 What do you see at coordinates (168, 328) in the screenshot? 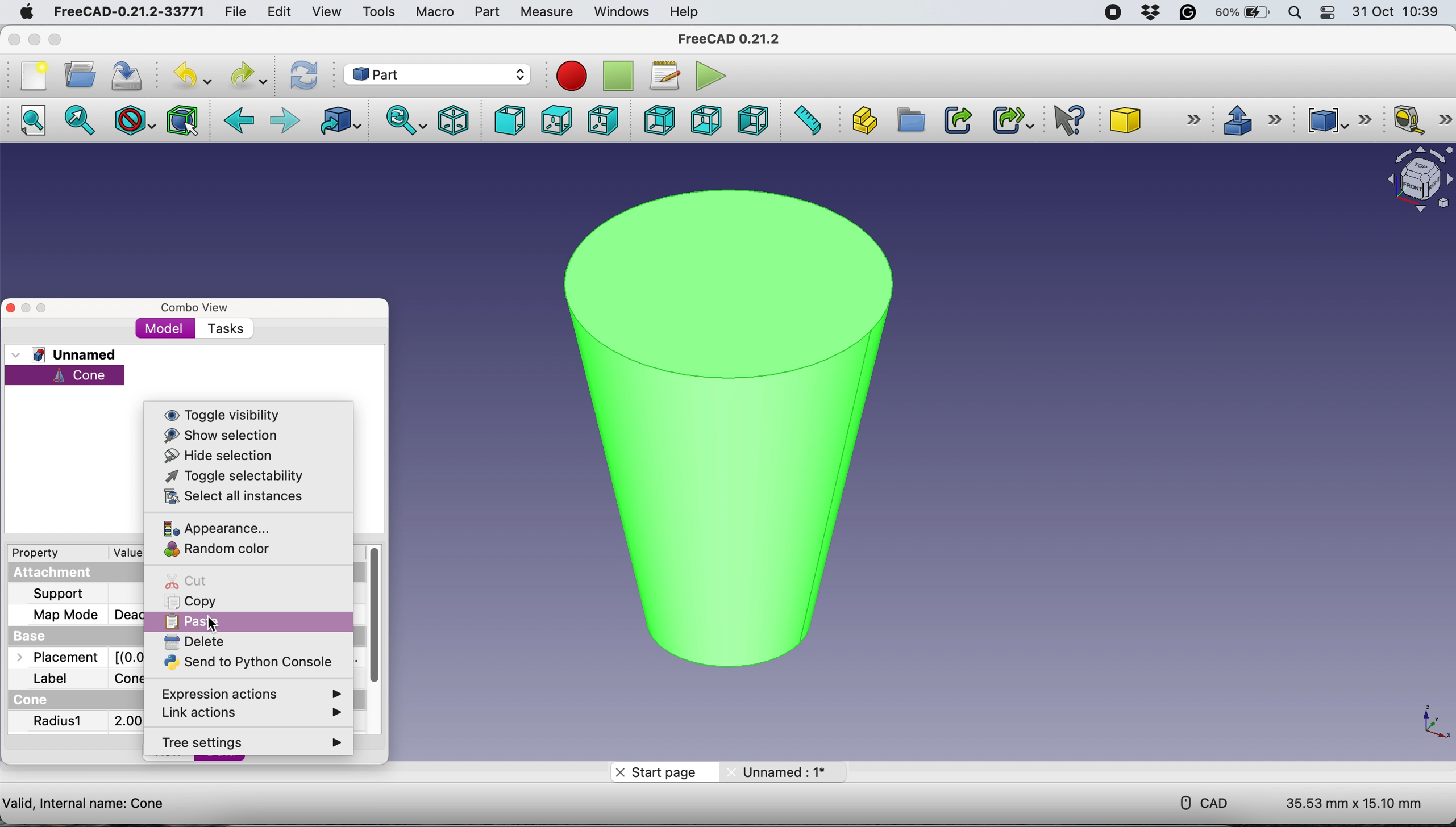
I see `model` at bounding box center [168, 328].